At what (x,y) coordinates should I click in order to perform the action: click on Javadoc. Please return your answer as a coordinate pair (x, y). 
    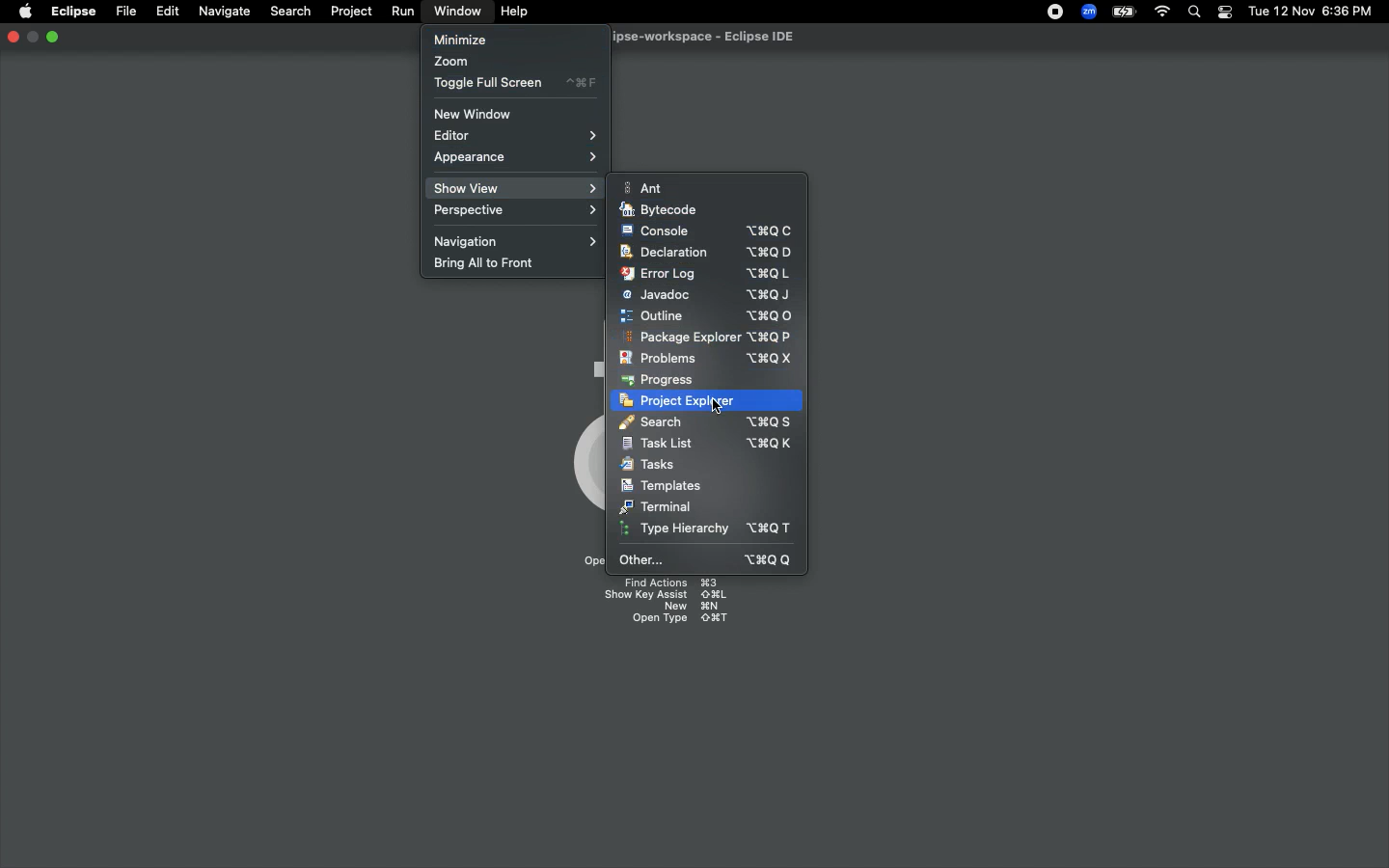
    Looking at the image, I should click on (706, 295).